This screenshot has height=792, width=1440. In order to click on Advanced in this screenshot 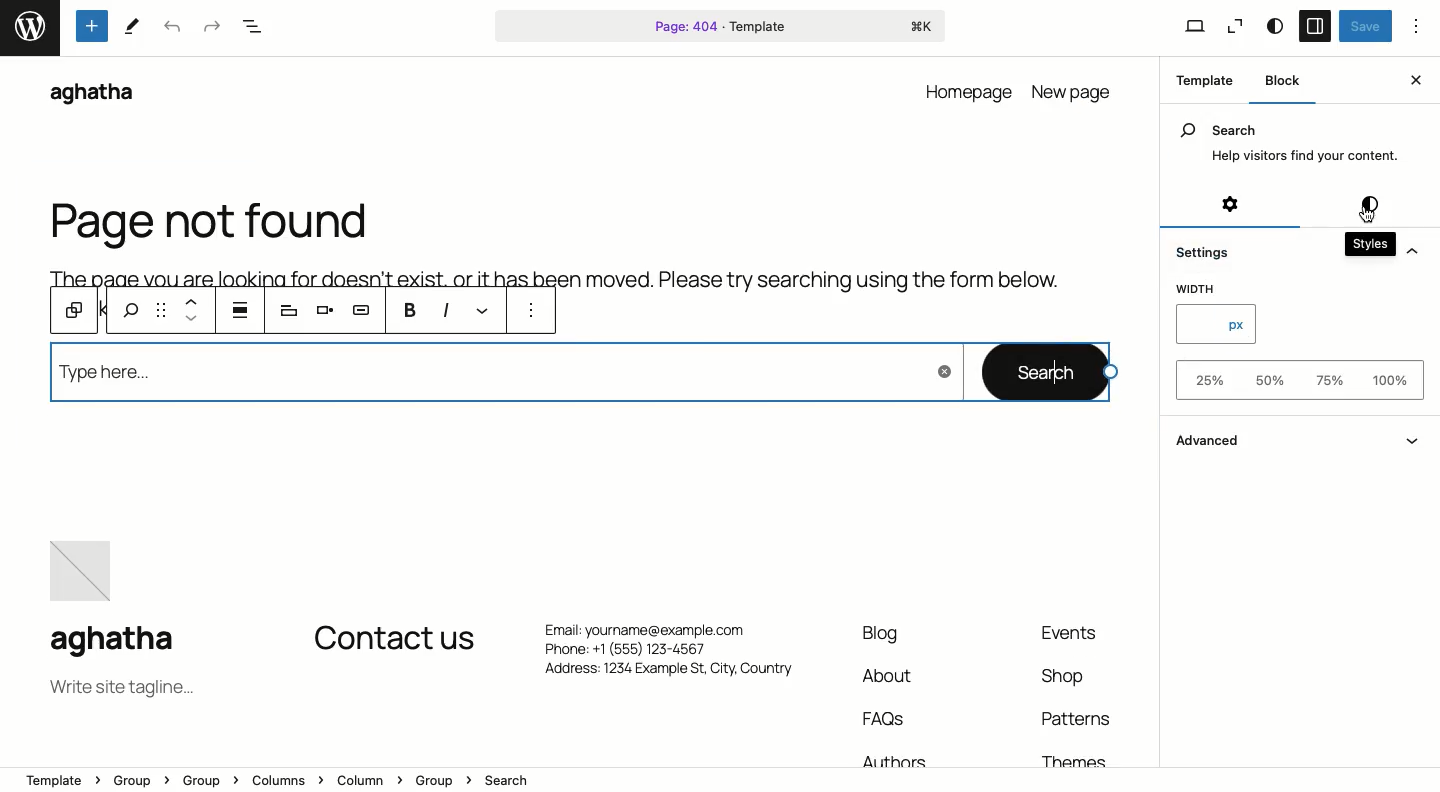, I will do `click(1209, 442)`.